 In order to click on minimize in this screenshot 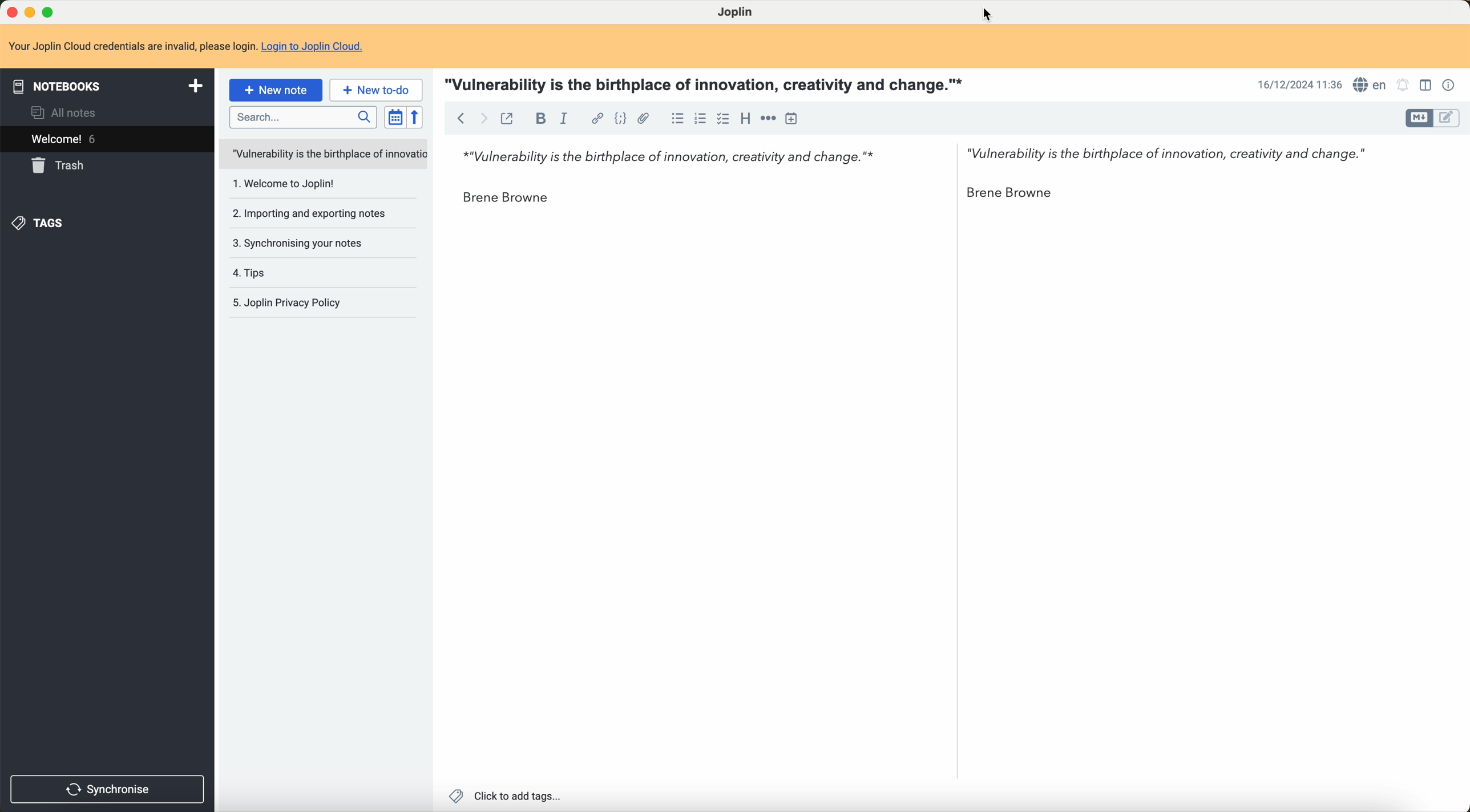, I will do `click(32, 11)`.